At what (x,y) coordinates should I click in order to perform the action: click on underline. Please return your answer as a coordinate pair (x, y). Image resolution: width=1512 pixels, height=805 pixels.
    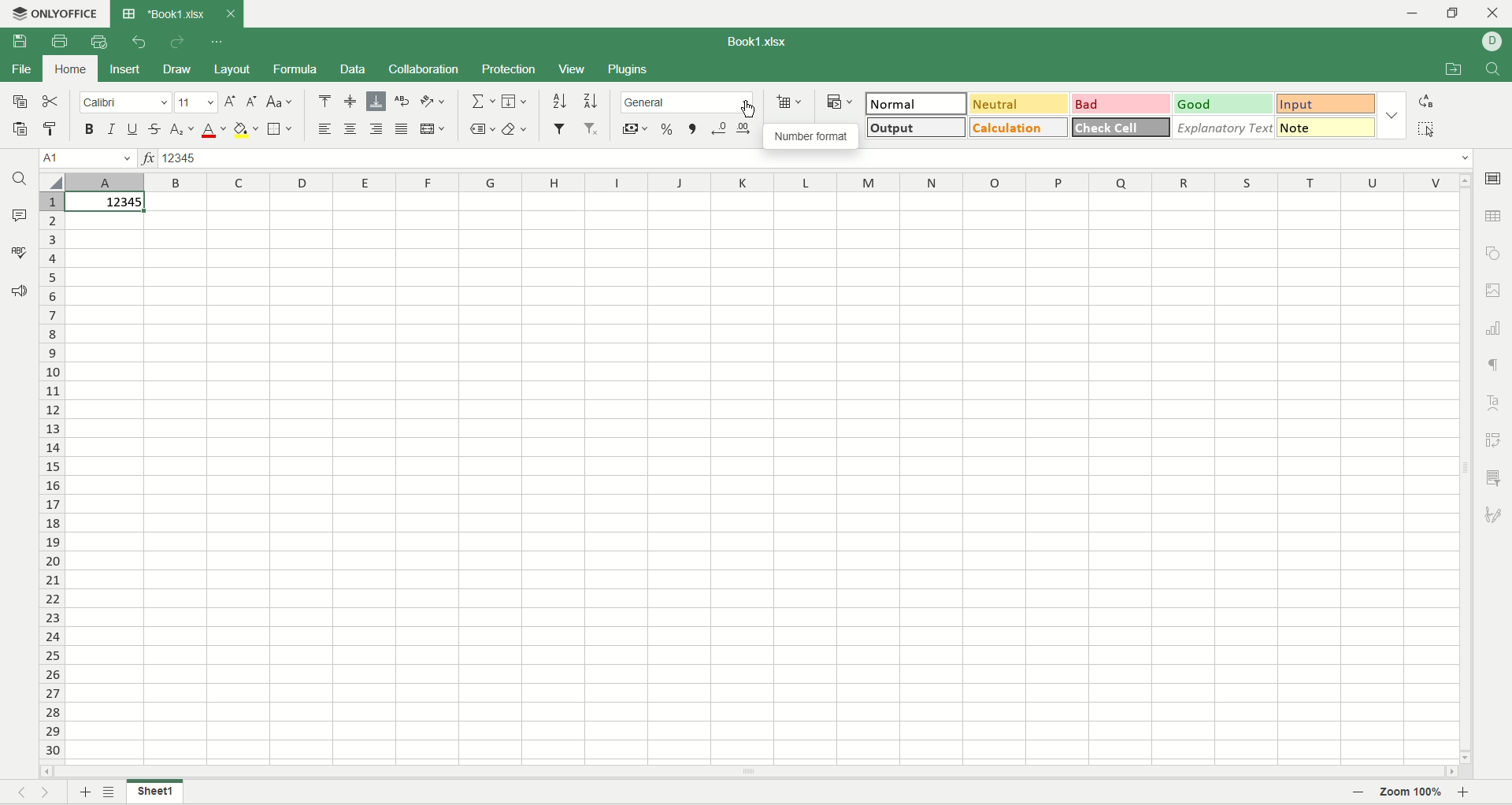
    Looking at the image, I should click on (135, 128).